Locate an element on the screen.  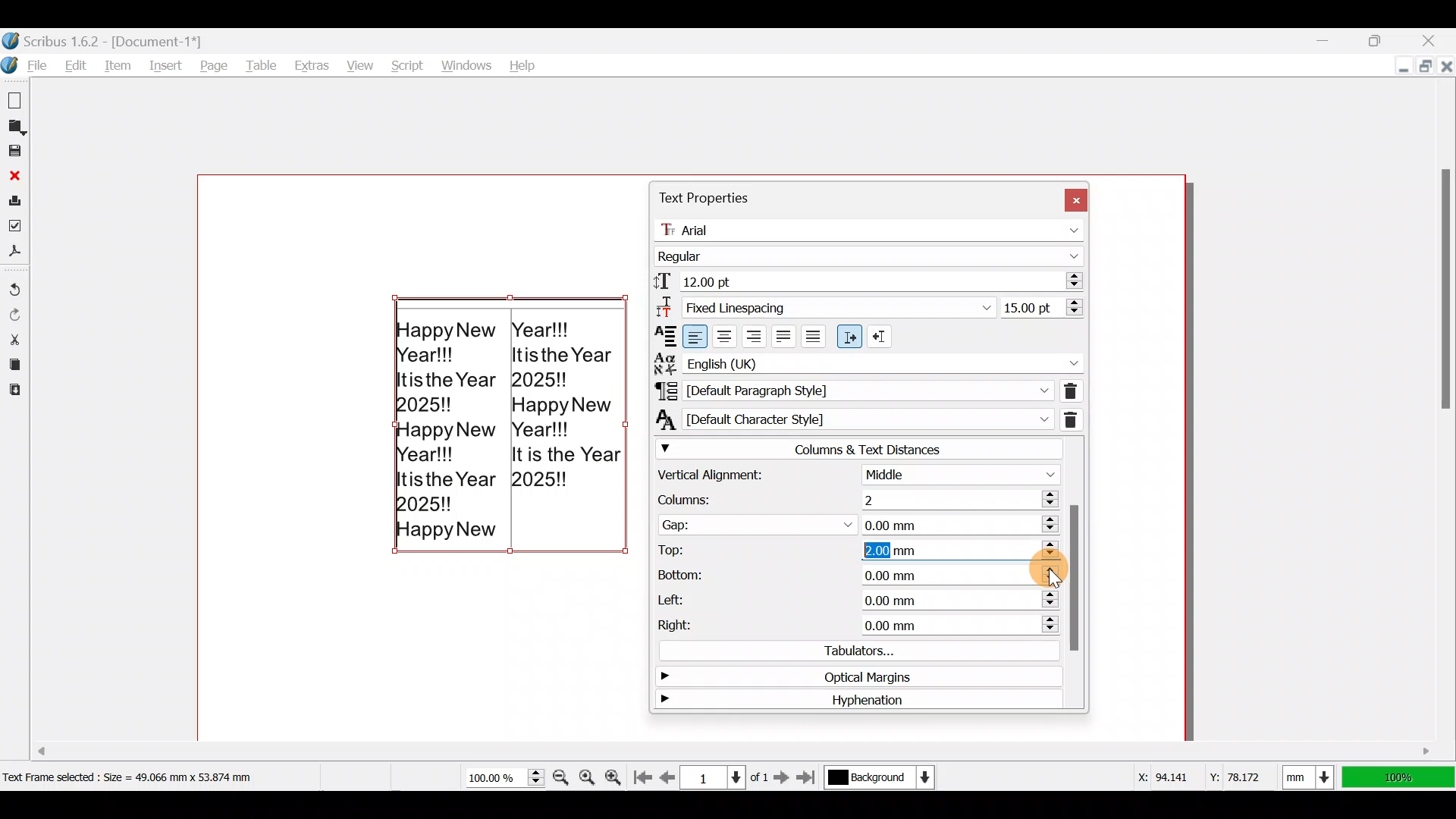
Script is located at coordinates (405, 61).